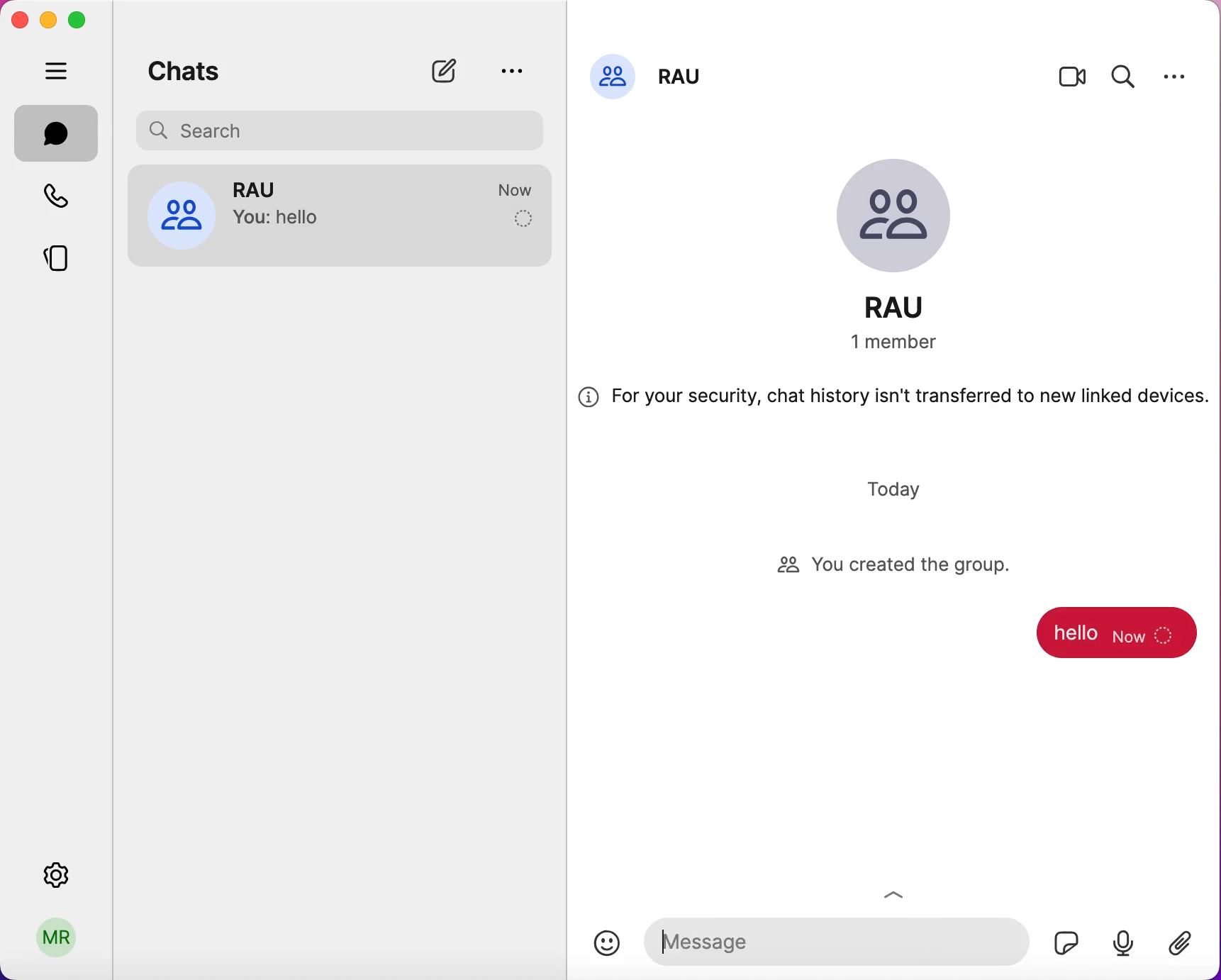  Describe the element at coordinates (613, 74) in the screenshot. I see `profile picture` at that location.